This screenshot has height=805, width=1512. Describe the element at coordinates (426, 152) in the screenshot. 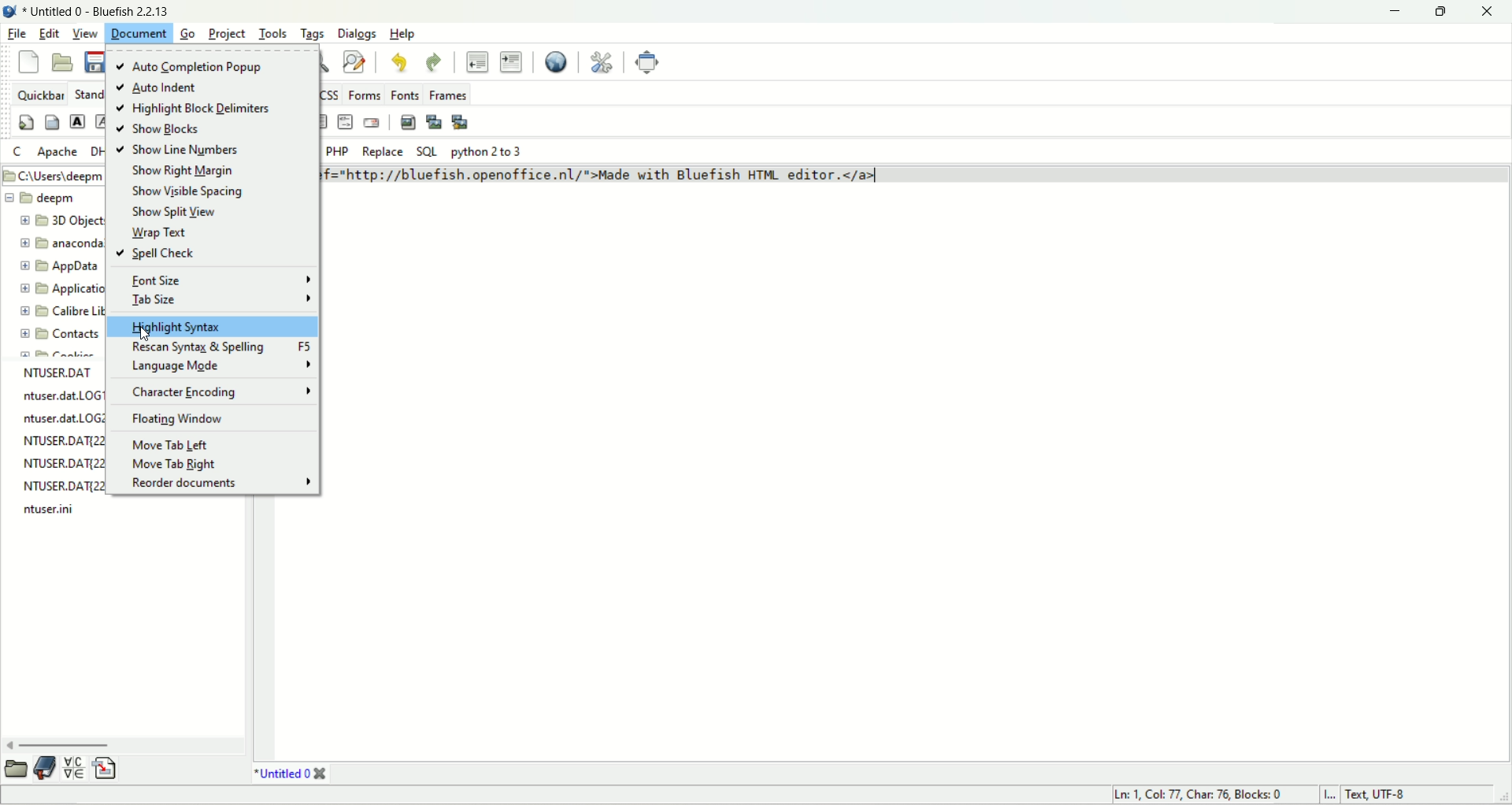

I see `SQL` at that location.